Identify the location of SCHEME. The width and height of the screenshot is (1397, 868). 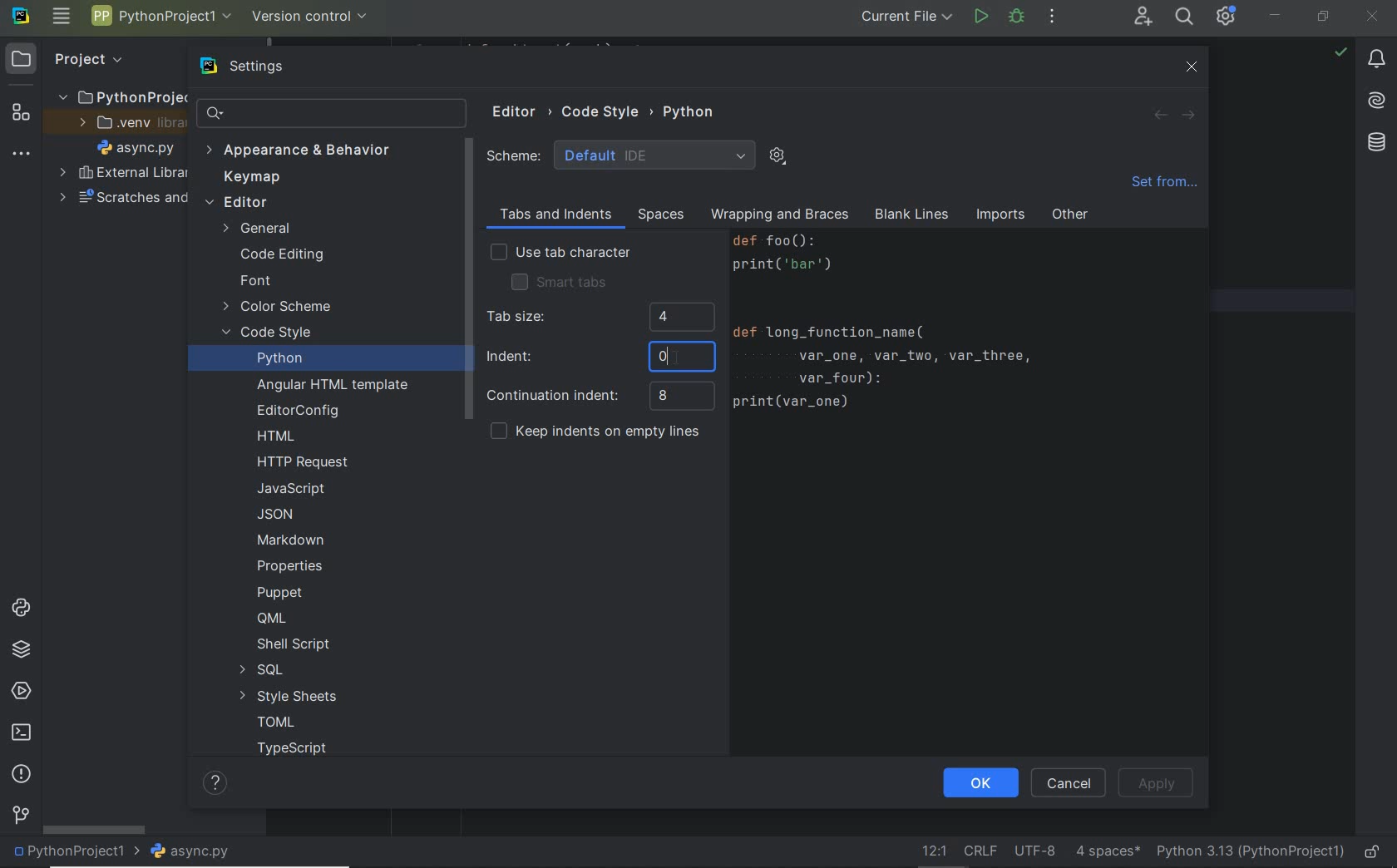
(622, 155).